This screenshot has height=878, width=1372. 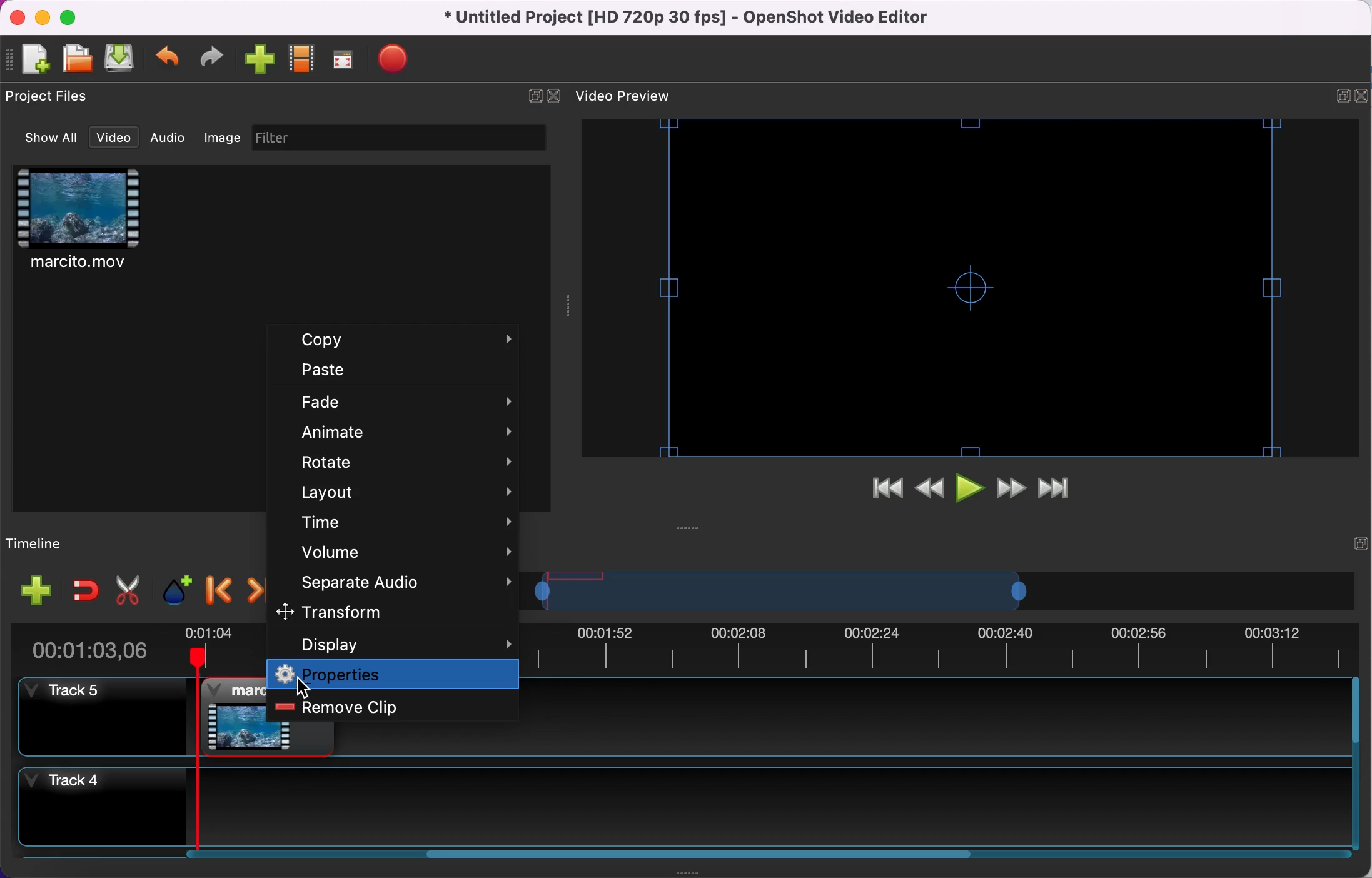 I want to click on audio, so click(x=173, y=139).